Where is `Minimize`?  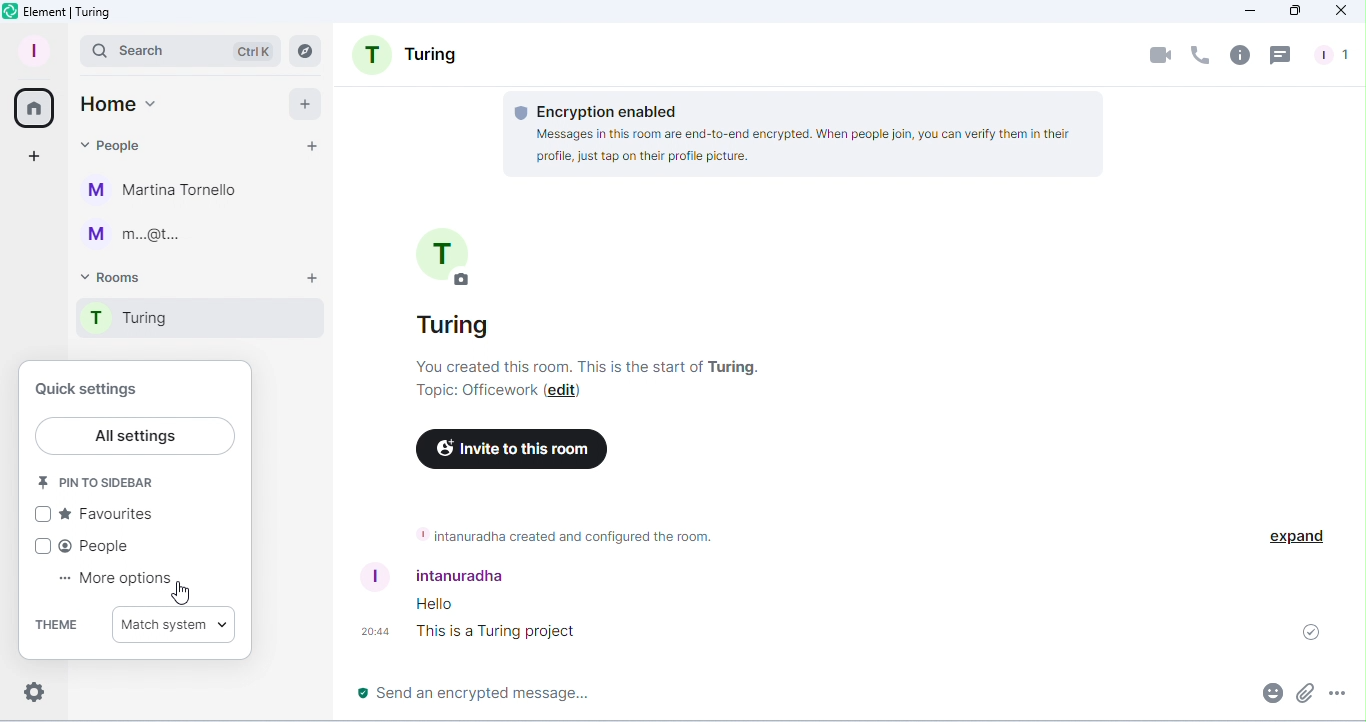 Minimize is located at coordinates (1250, 12).